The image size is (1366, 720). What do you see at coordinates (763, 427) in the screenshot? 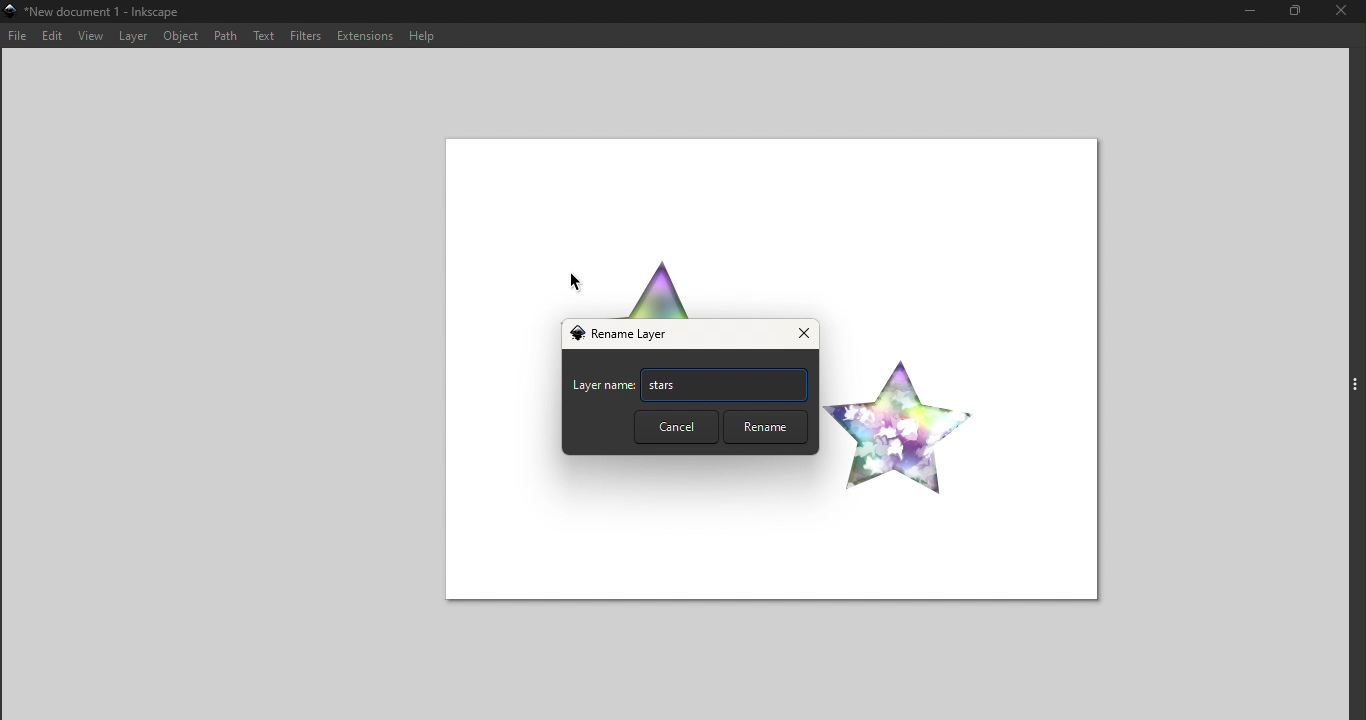
I see `Rename` at bounding box center [763, 427].